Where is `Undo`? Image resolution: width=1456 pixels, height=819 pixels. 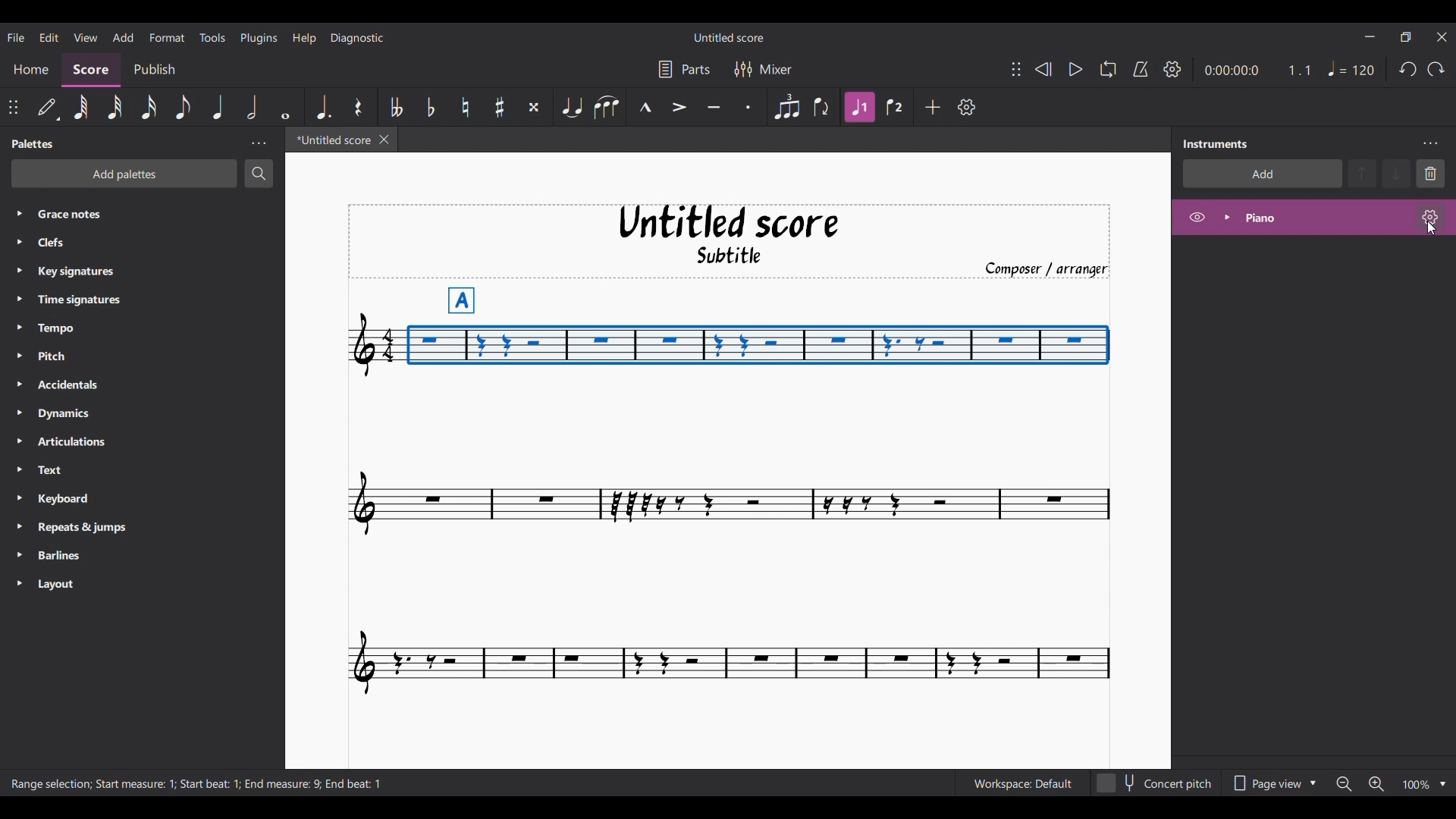 Undo is located at coordinates (1407, 69).